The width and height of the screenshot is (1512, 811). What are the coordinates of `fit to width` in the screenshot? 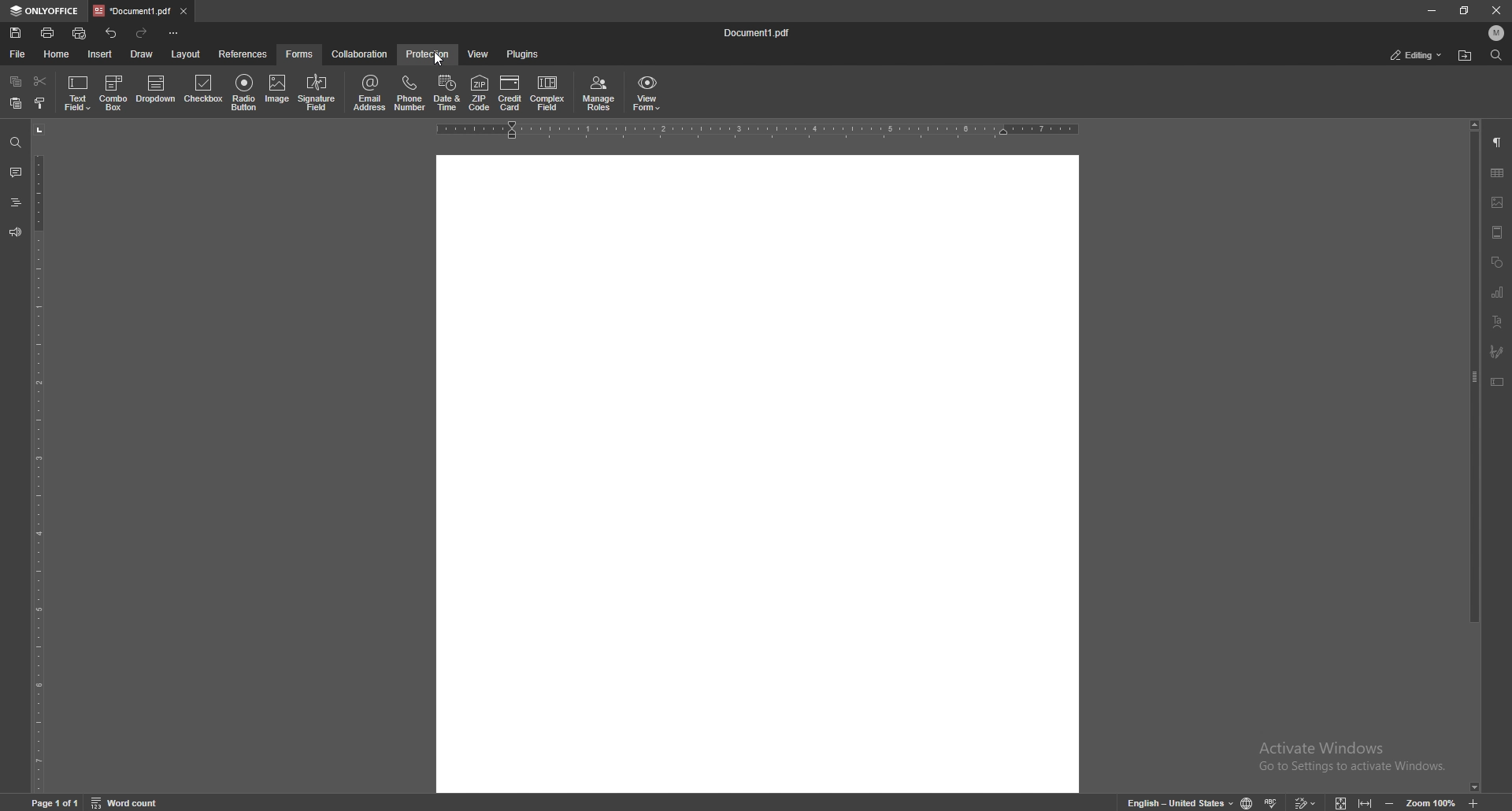 It's located at (1367, 800).